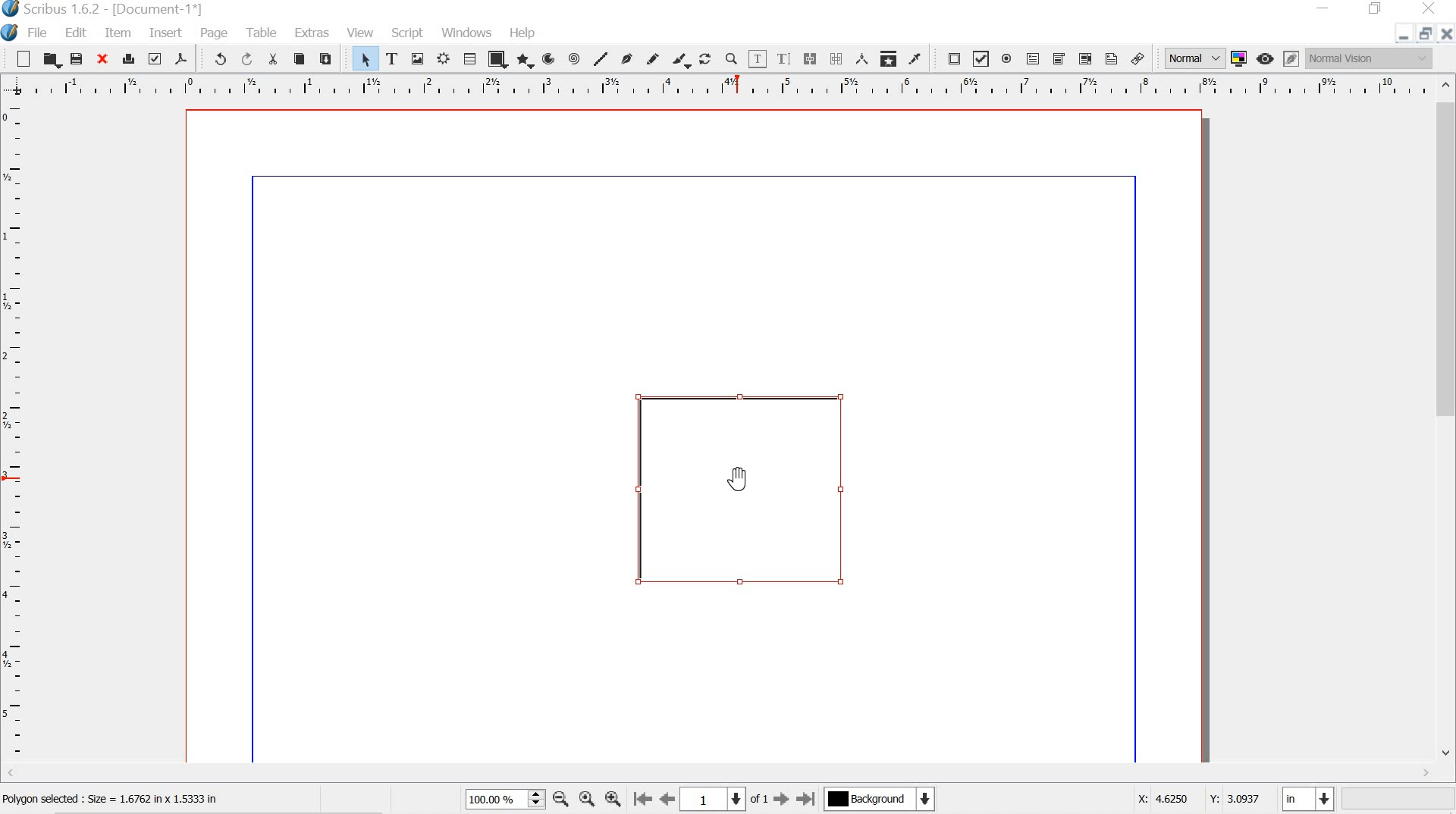  What do you see at coordinates (14, 440) in the screenshot?
I see `ruler` at bounding box center [14, 440].